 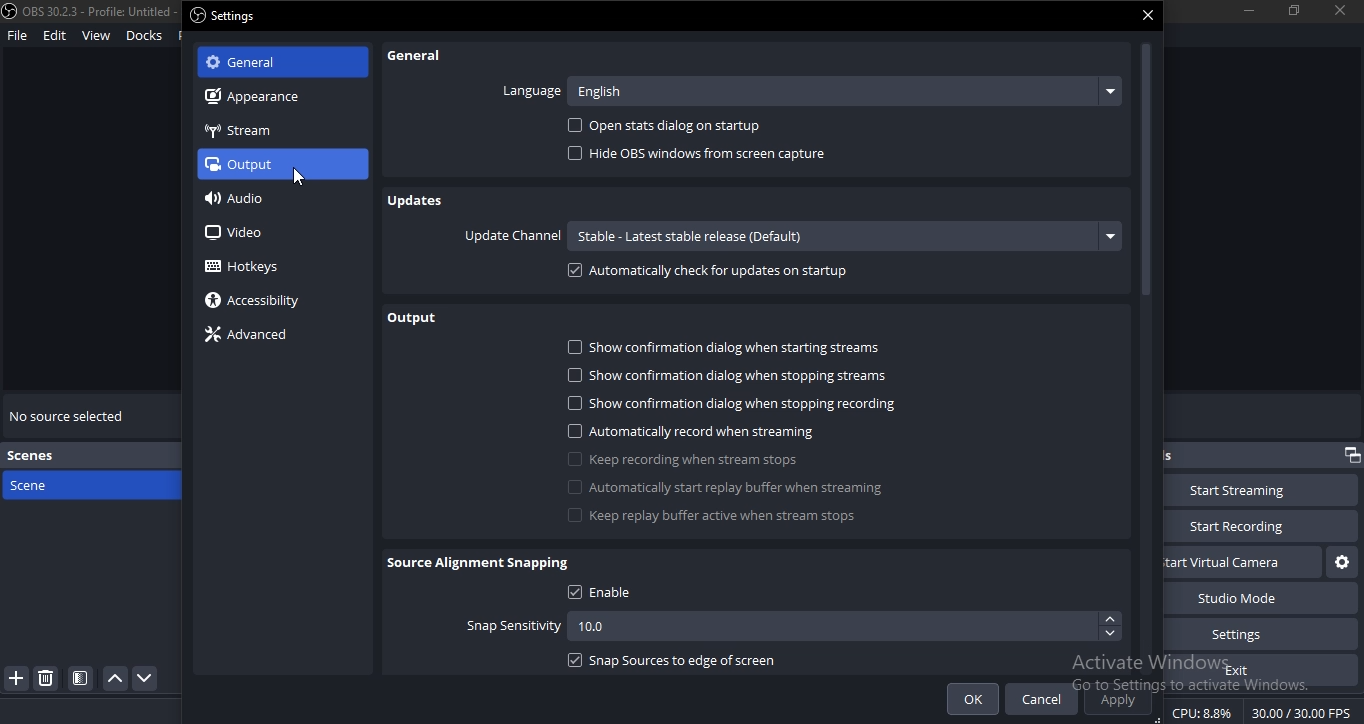 What do you see at coordinates (1294, 9) in the screenshot?
I see `restore` at bounding box center [1294, 9].